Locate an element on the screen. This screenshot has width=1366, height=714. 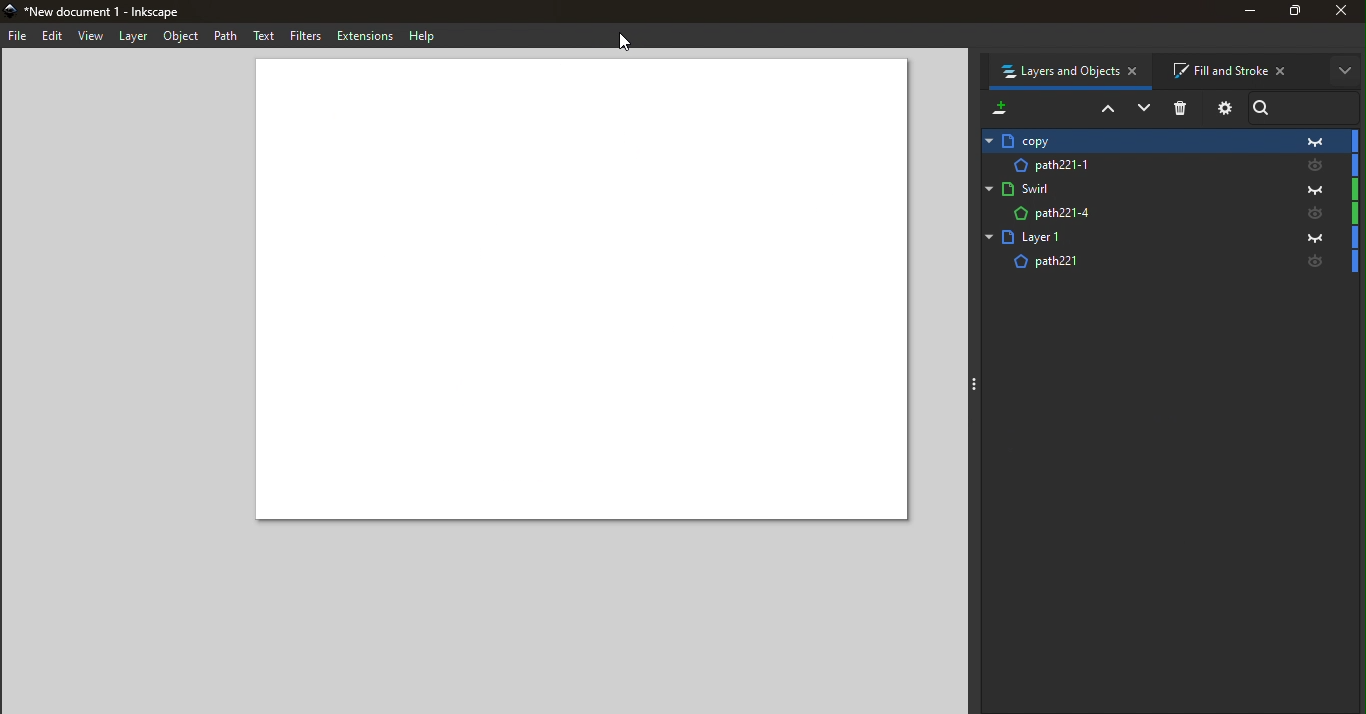
Add a new layer is located at coordinates (1000, 105).